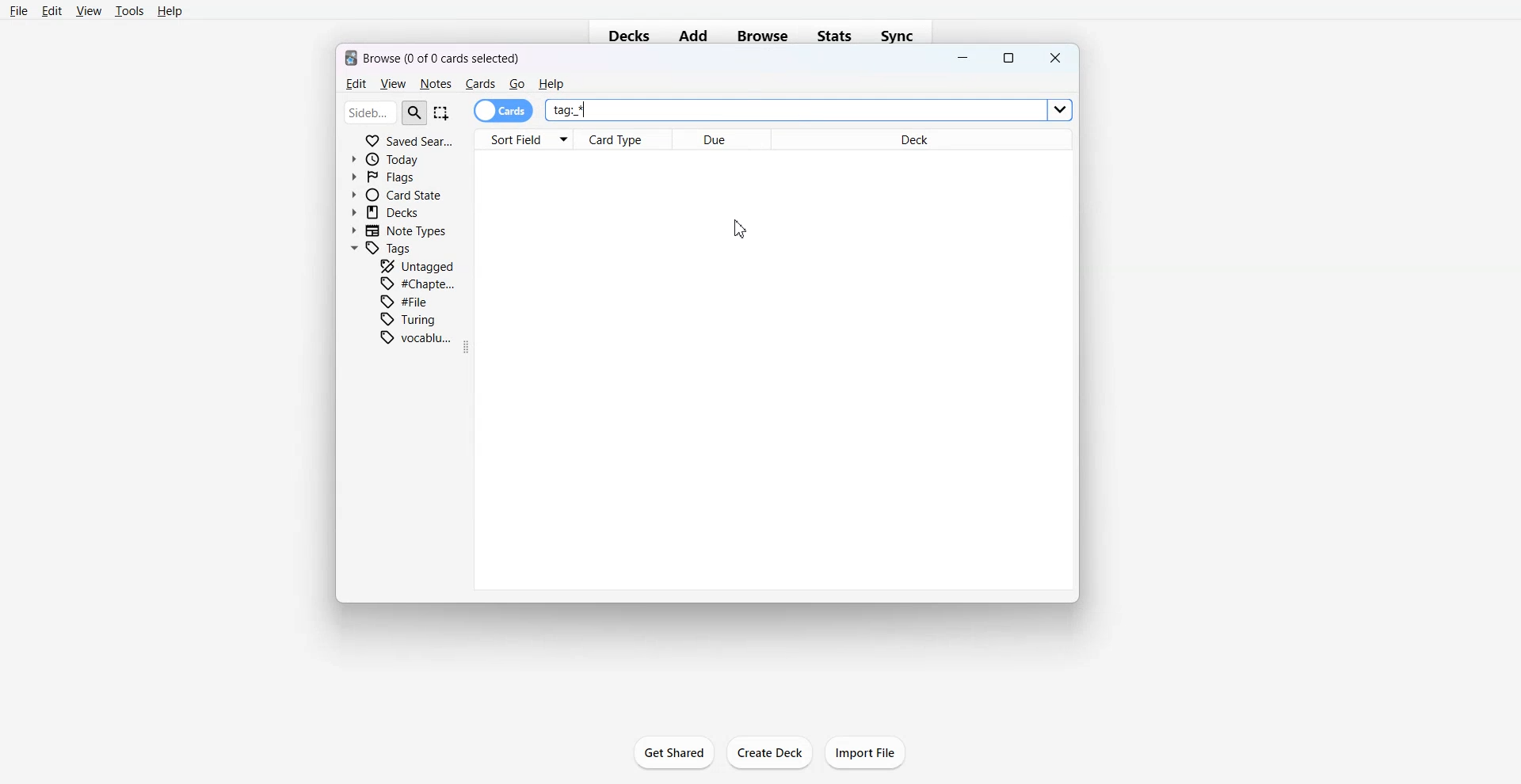 Image resolution: width=1521 pixels, height=784 pixels. Describe the element at coordinates (624, 32) in the screenshot. I see `Decks` at that location.